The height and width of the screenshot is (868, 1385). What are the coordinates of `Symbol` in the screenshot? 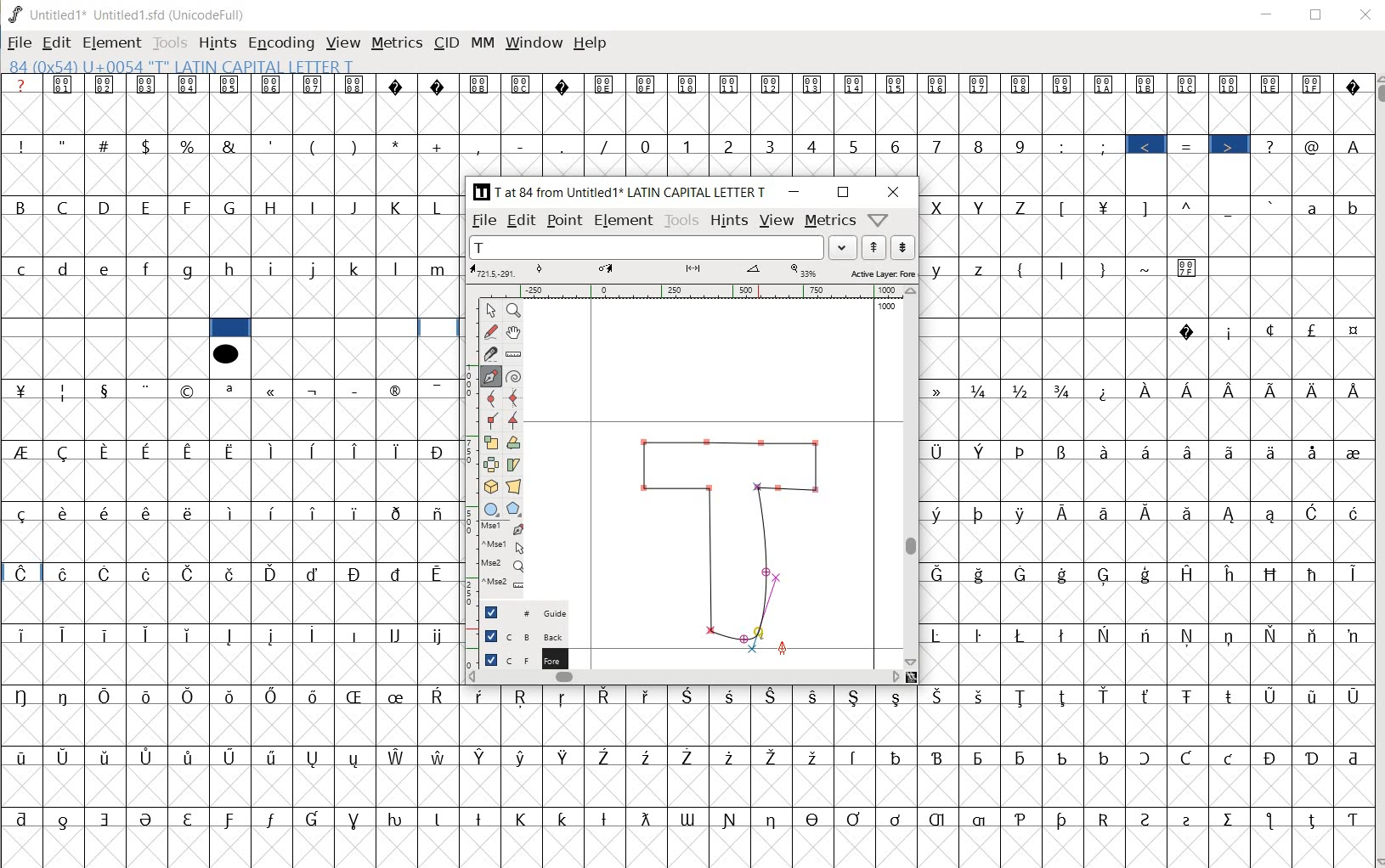 It's located at (648, 757).